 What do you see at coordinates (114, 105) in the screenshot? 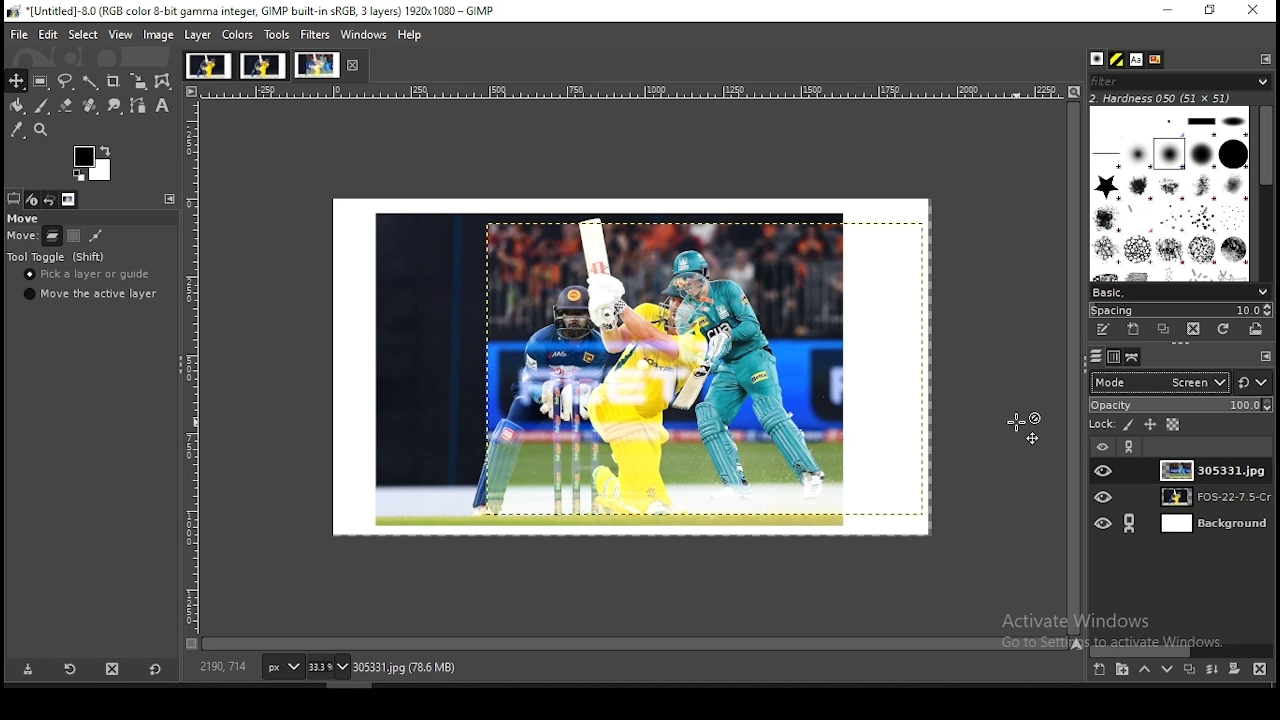
I see `smudge tool` at bounding box center [114, 105].